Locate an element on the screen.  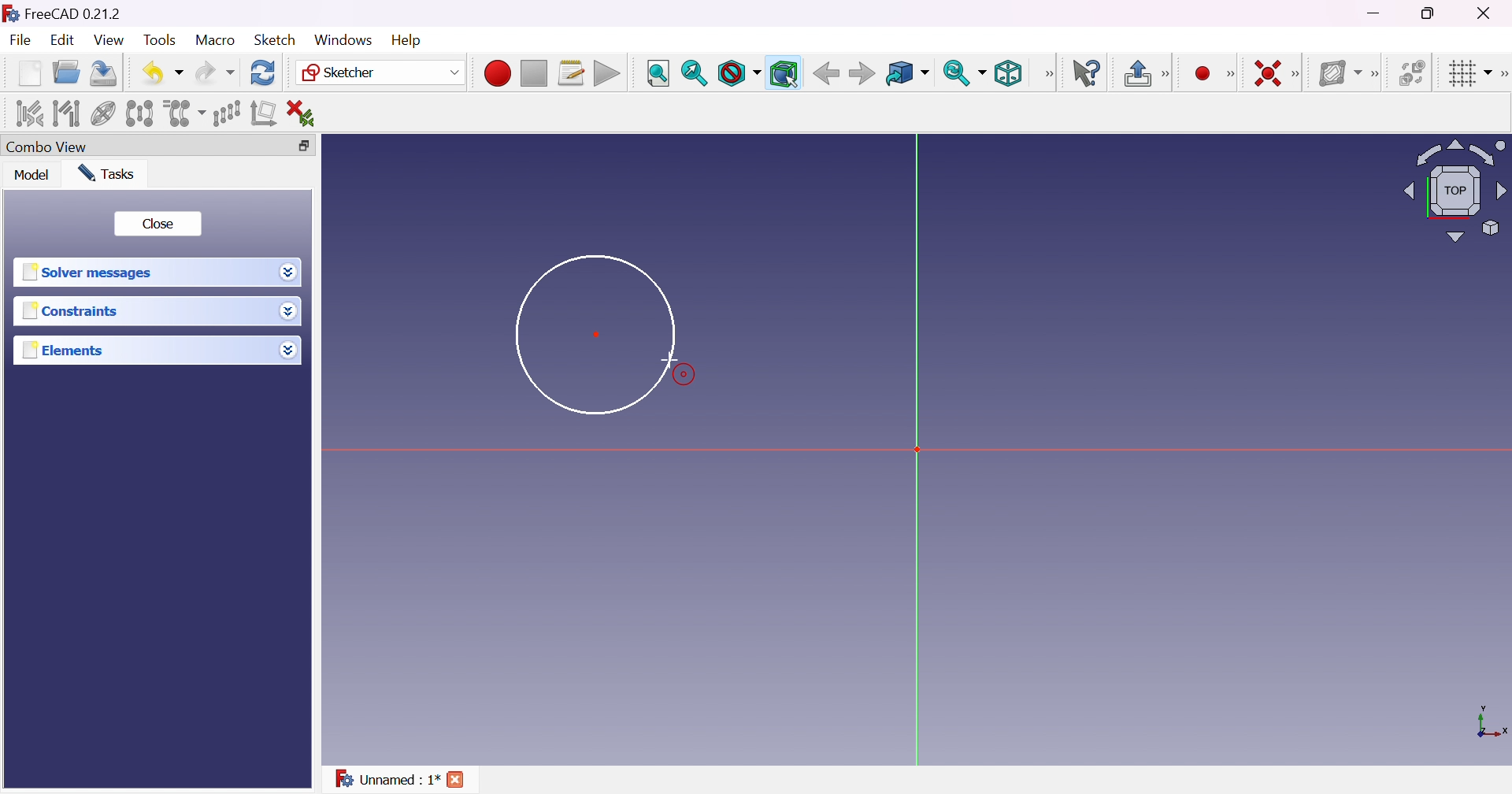
Symmetry is located at coordinates (139, 114).